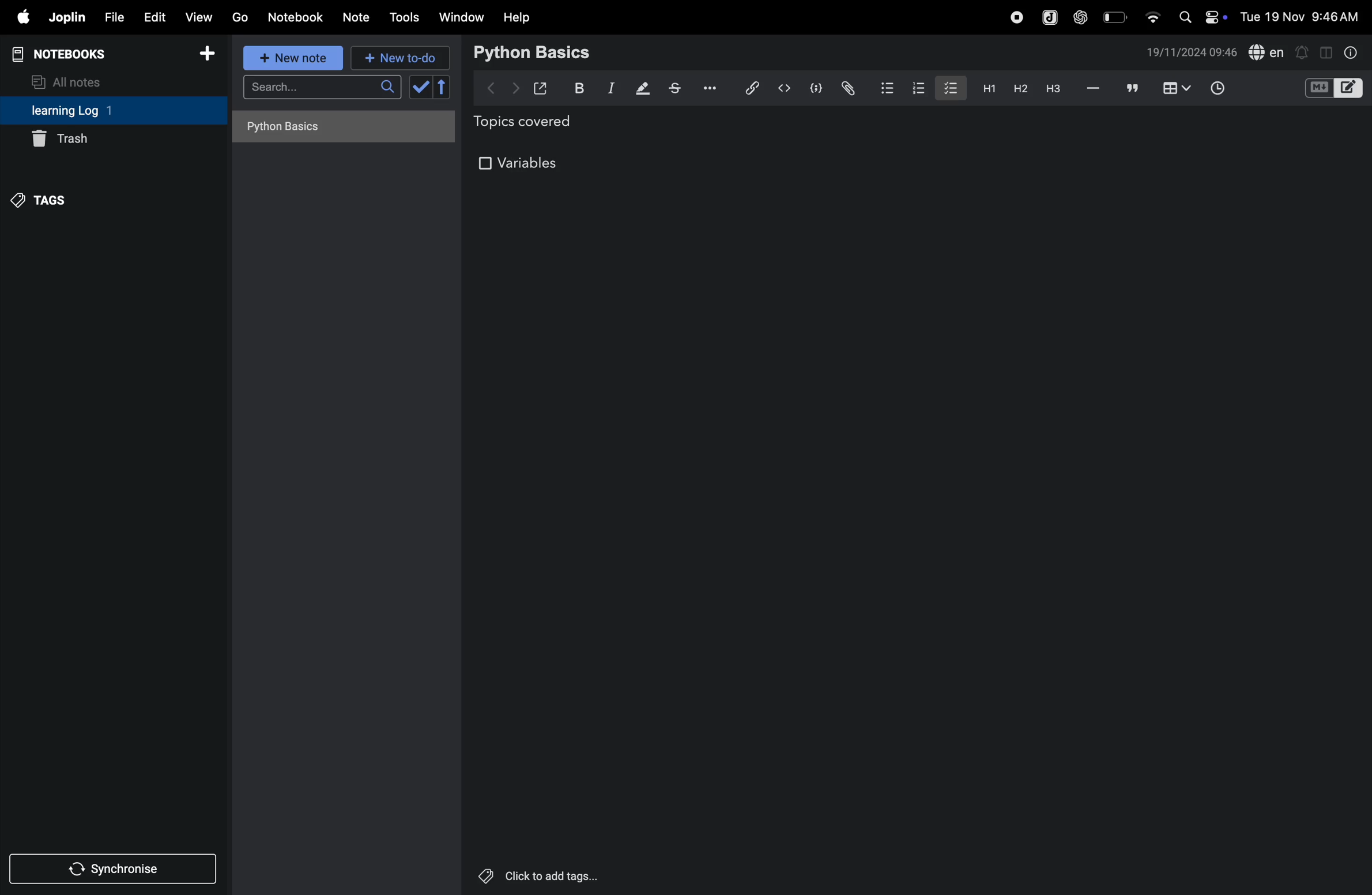  I want to click on help, so click(517, 17).